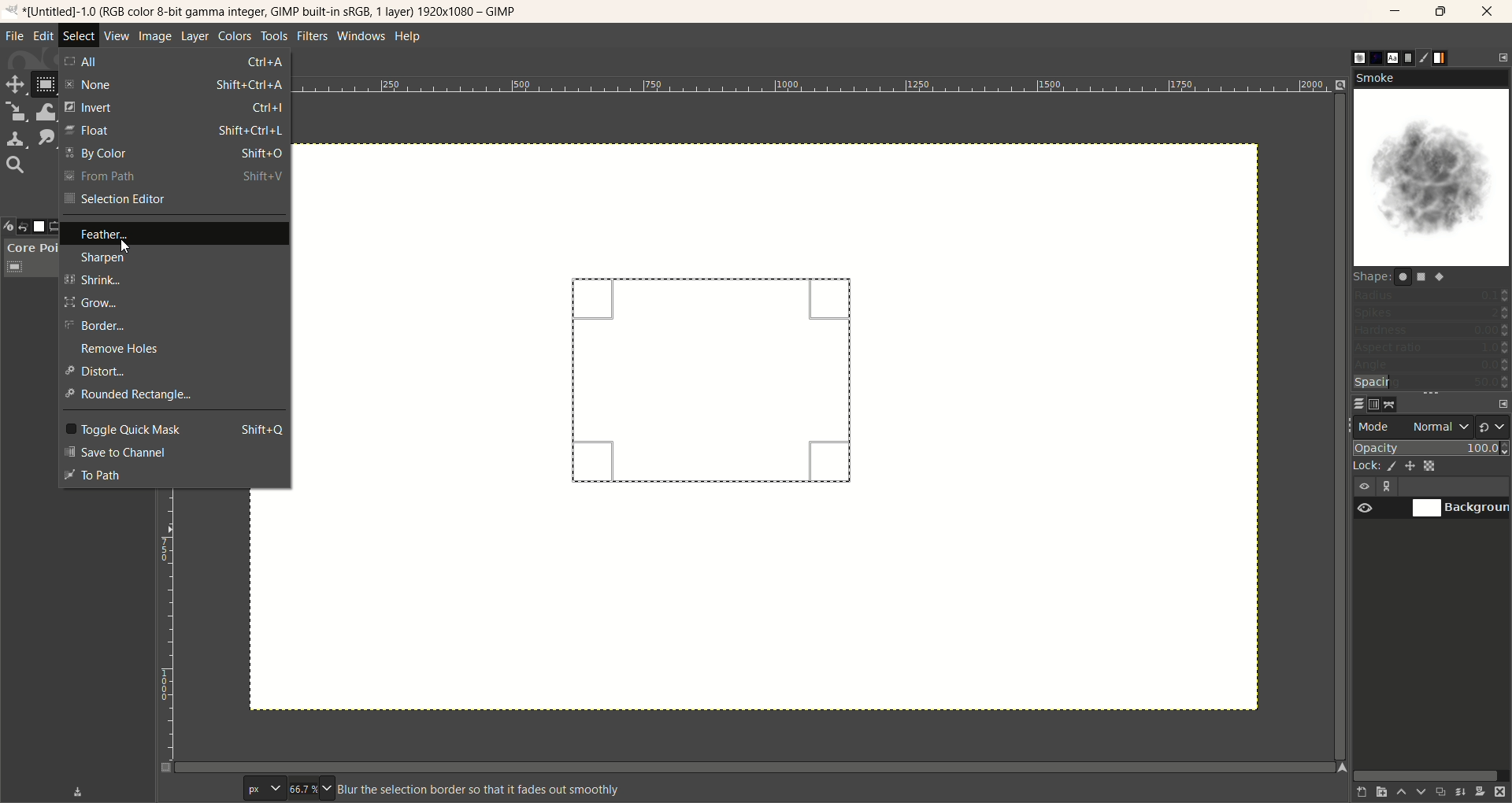 This screenshot has height=803, width=1512. I want to click on layer, so click(1358, 405).